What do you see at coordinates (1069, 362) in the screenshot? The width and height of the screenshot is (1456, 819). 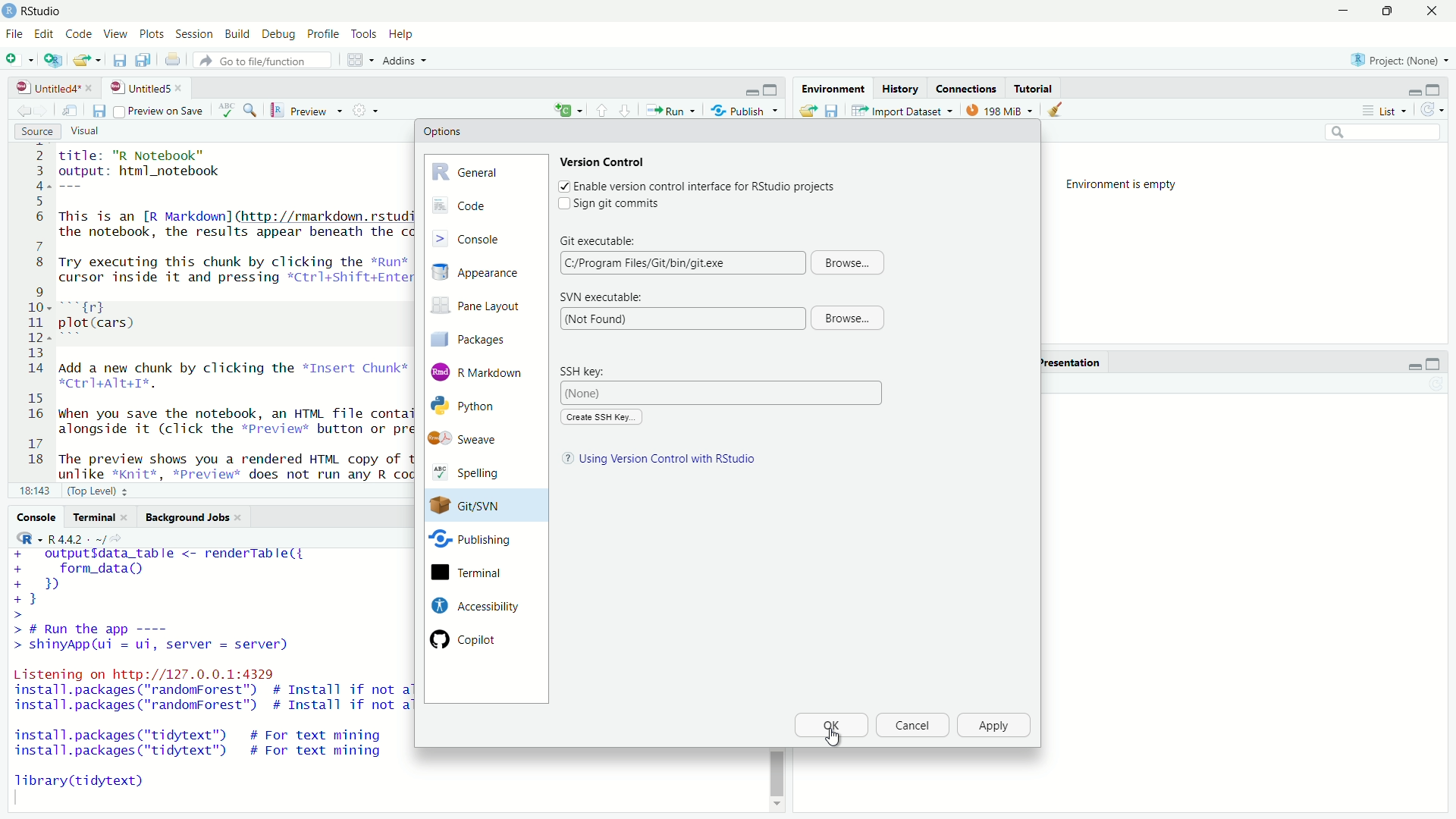 I see `Presentation` at bounding box center [1069, 362].